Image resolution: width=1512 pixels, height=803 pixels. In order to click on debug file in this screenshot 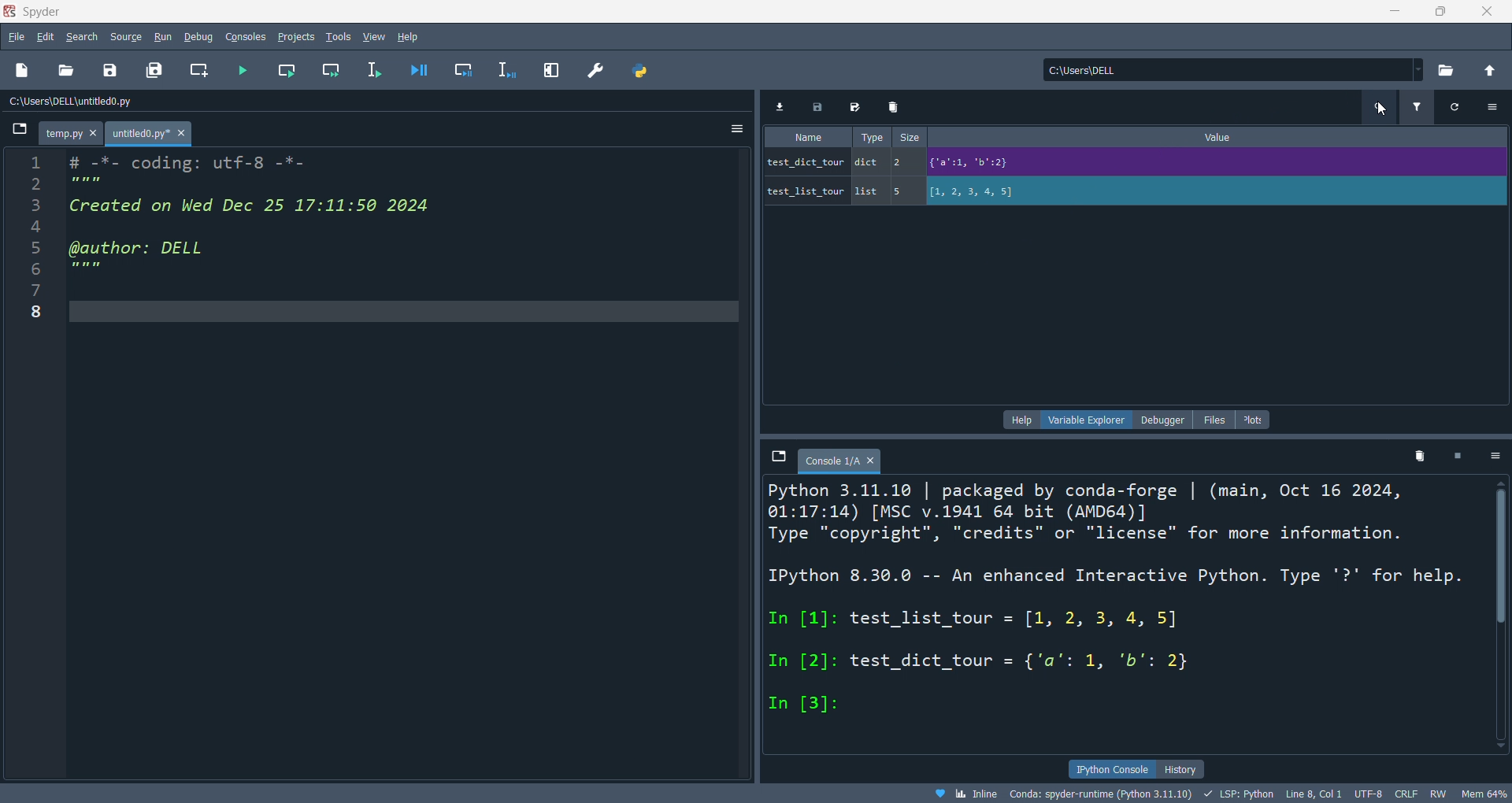, I will do `click(420, 69)`.